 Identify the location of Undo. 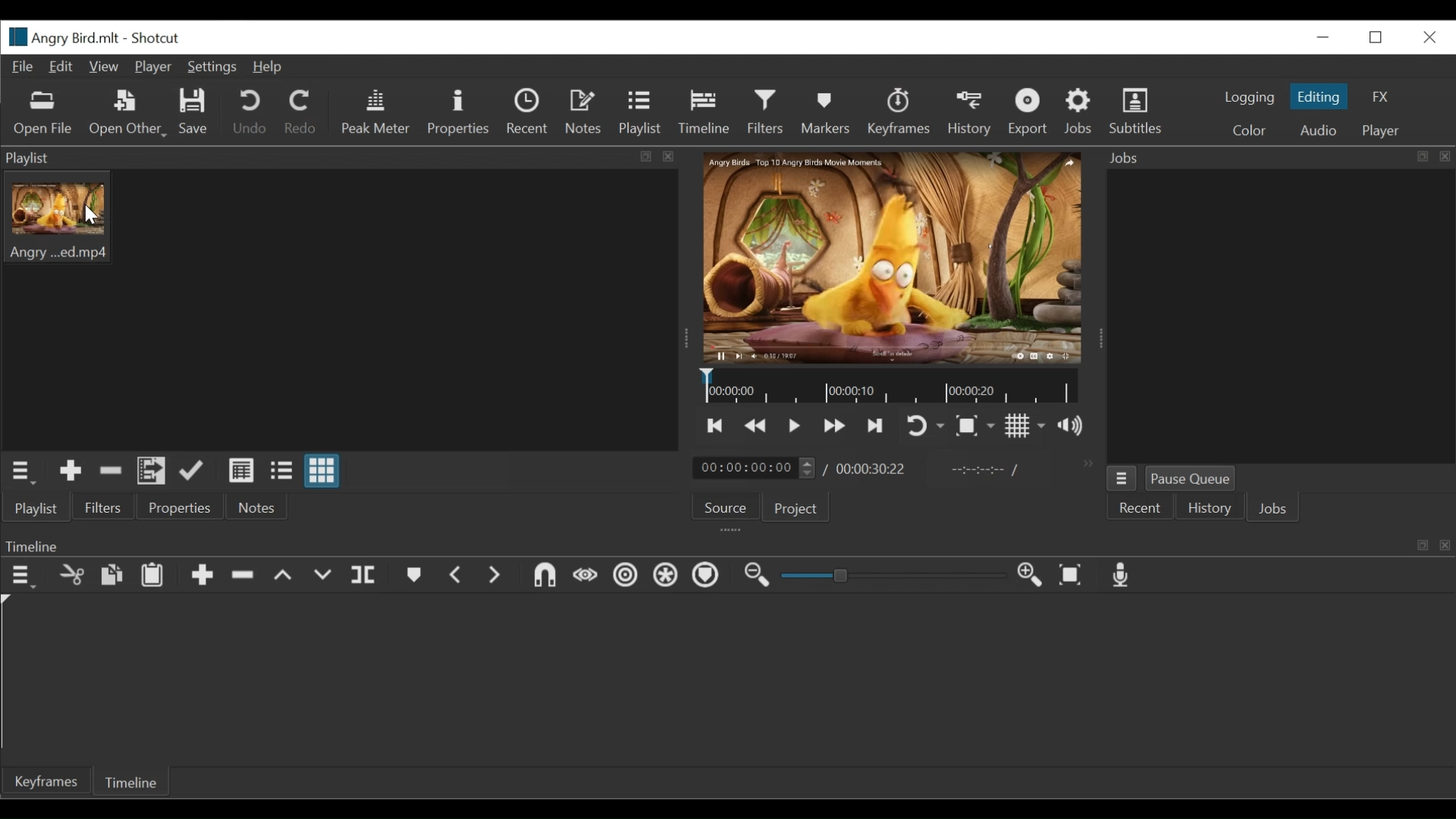
(249, 112).